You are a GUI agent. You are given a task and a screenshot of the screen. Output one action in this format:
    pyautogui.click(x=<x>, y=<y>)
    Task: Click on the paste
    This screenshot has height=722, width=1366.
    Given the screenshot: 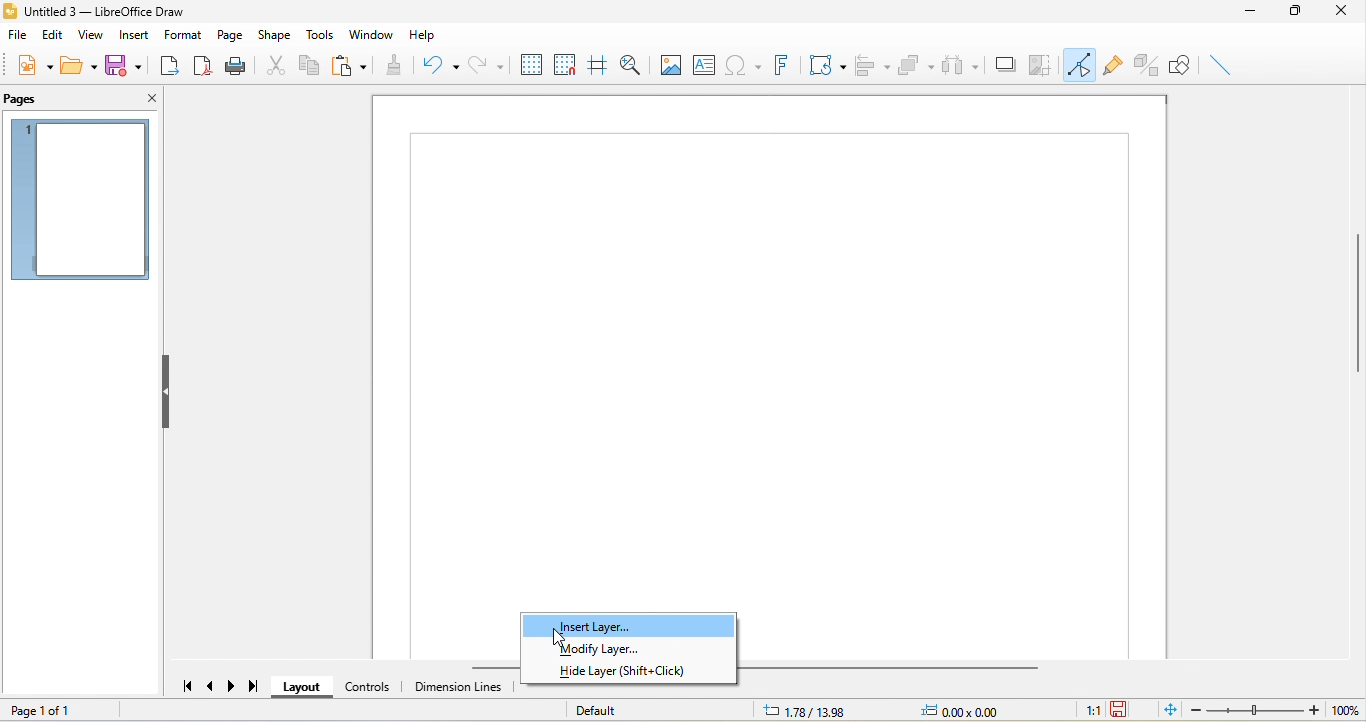 What is the action you would take?
    pyautogui.click(x=348, y=67)
    